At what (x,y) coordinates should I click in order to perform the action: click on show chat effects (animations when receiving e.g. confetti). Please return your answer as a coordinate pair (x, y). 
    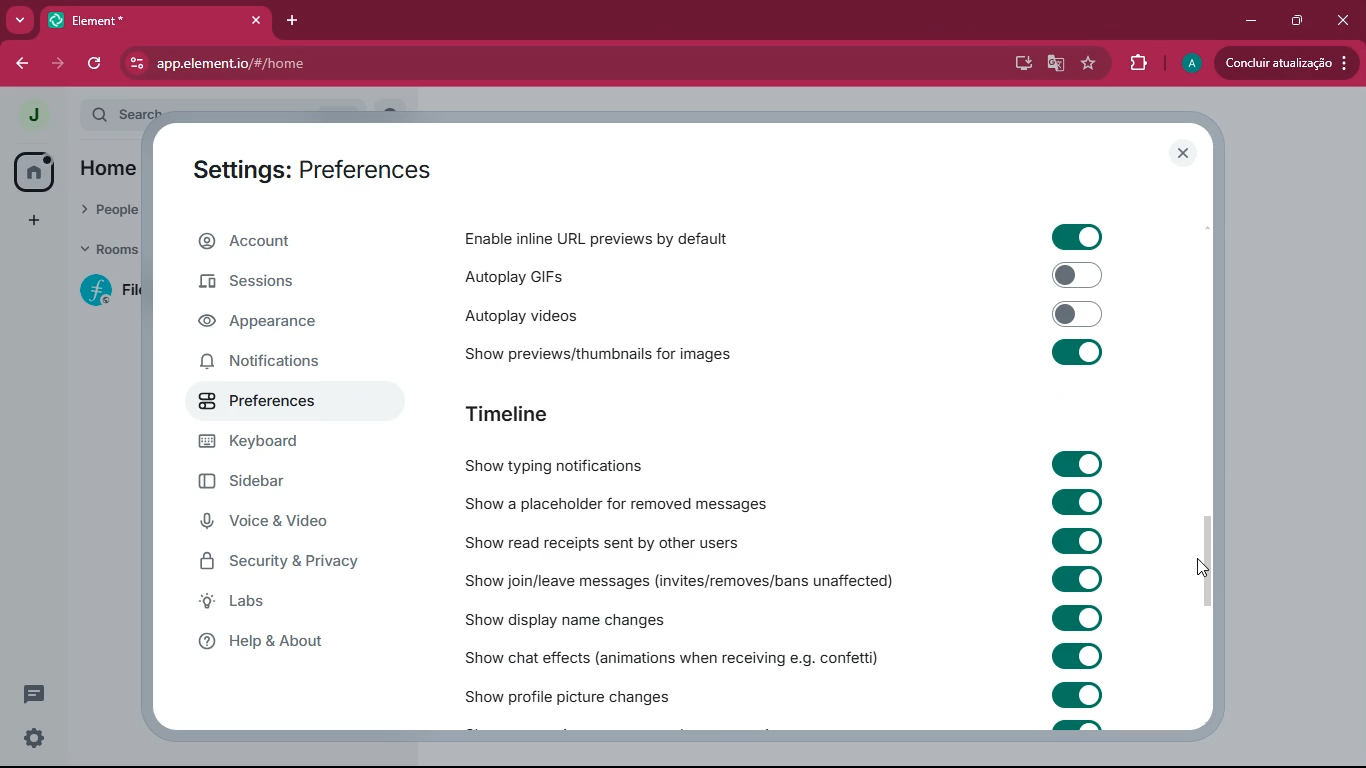
    Looking at the image, I should click on (674, 654).